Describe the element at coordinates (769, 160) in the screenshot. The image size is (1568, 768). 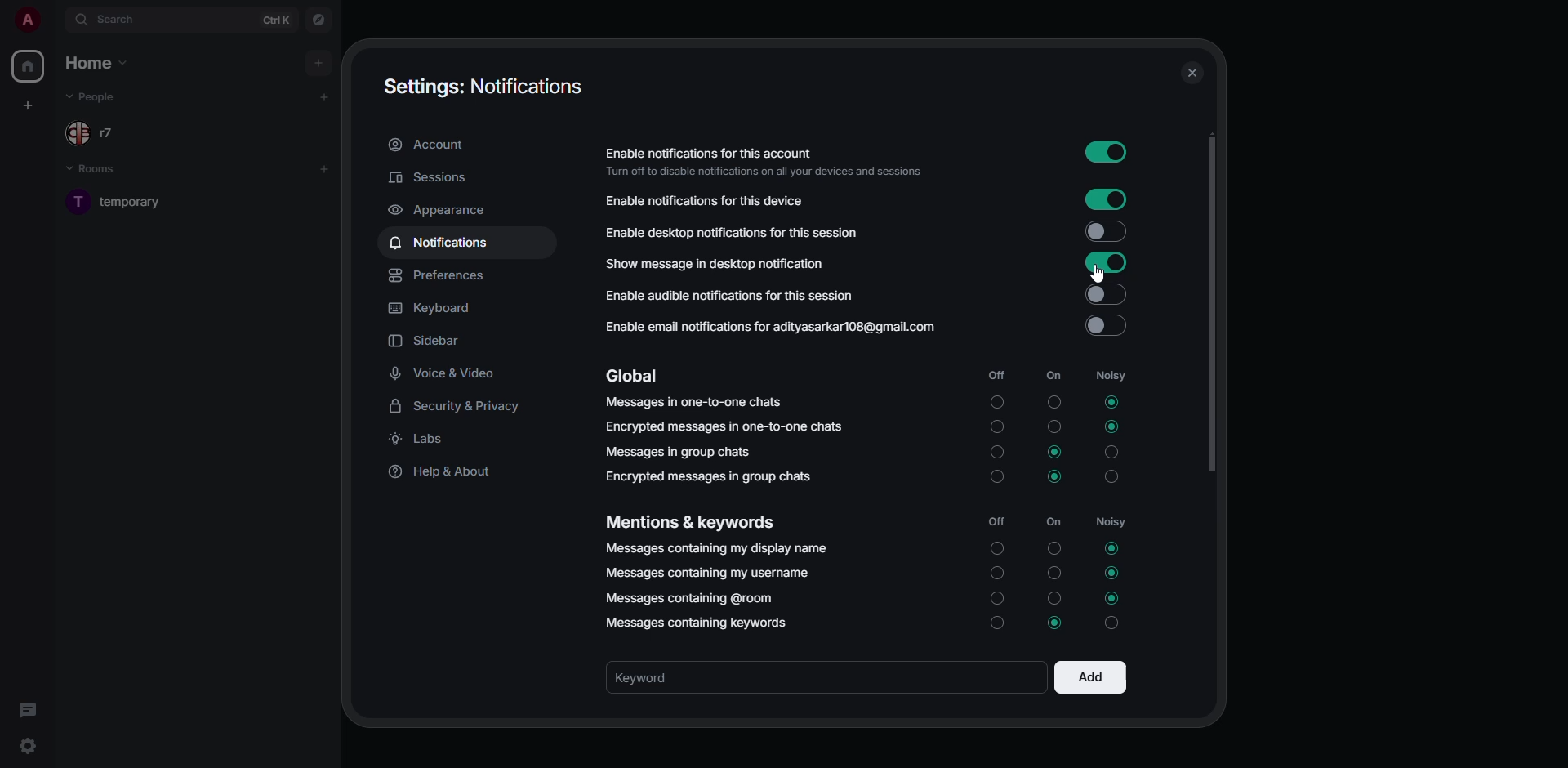
I see `enable notifications for this account` at that location.